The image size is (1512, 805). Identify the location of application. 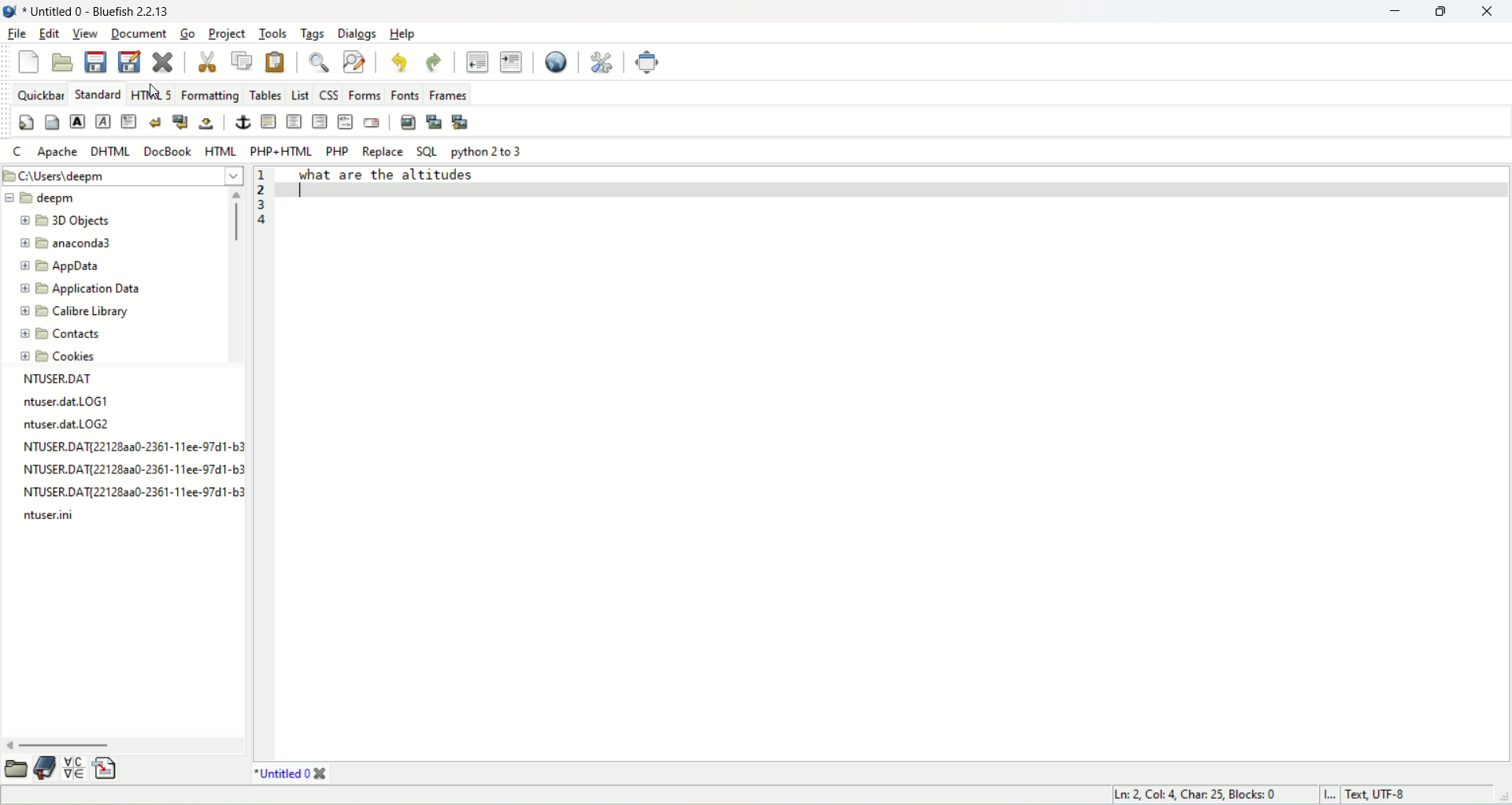
(82, 291).